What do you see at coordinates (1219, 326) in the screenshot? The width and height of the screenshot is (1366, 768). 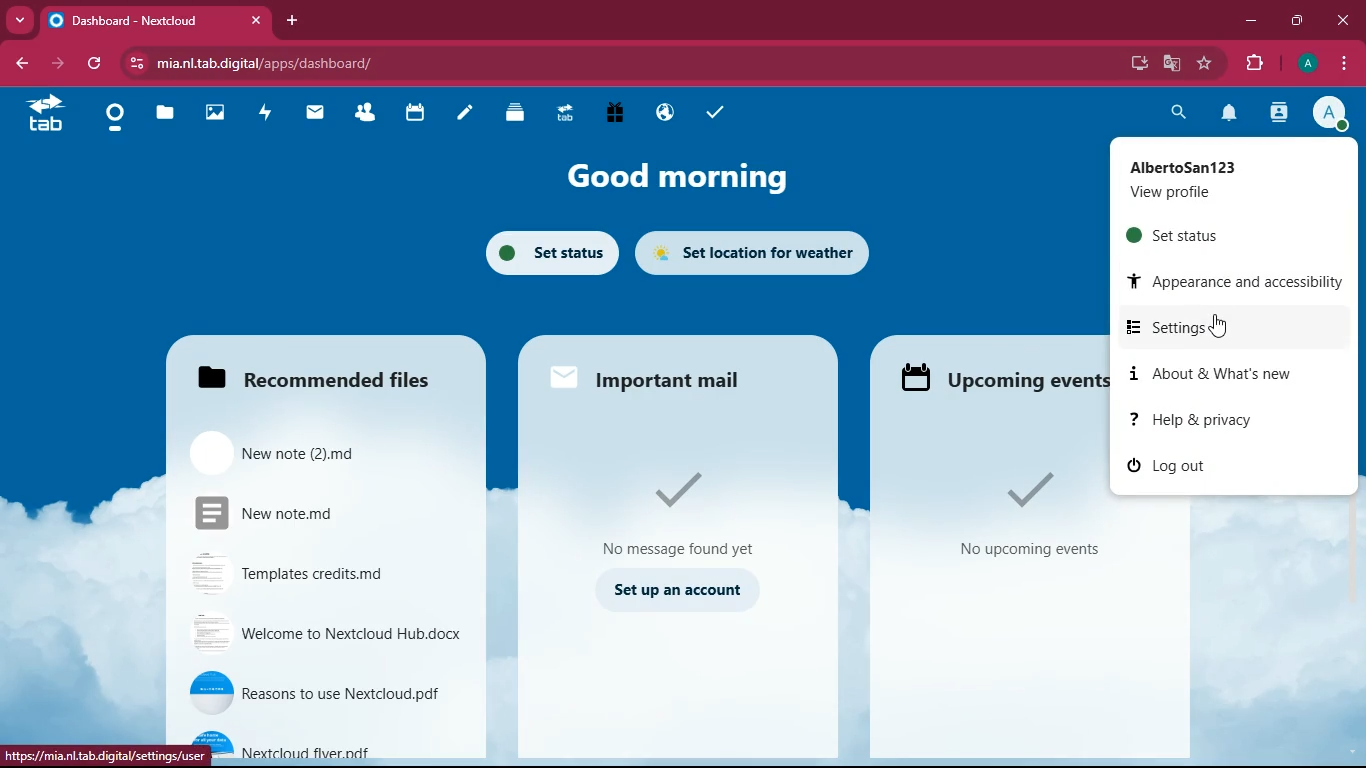 I see `Cursor` at bounding box center [1219, 326].